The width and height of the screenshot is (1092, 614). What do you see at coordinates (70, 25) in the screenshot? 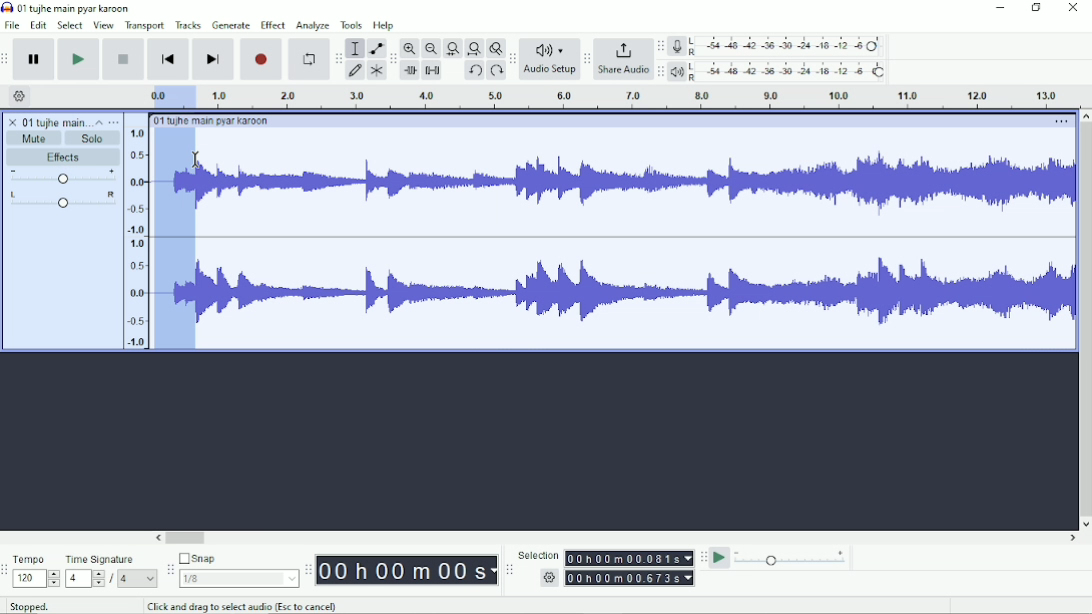
I see `Select` at bounding box center [70, 25].